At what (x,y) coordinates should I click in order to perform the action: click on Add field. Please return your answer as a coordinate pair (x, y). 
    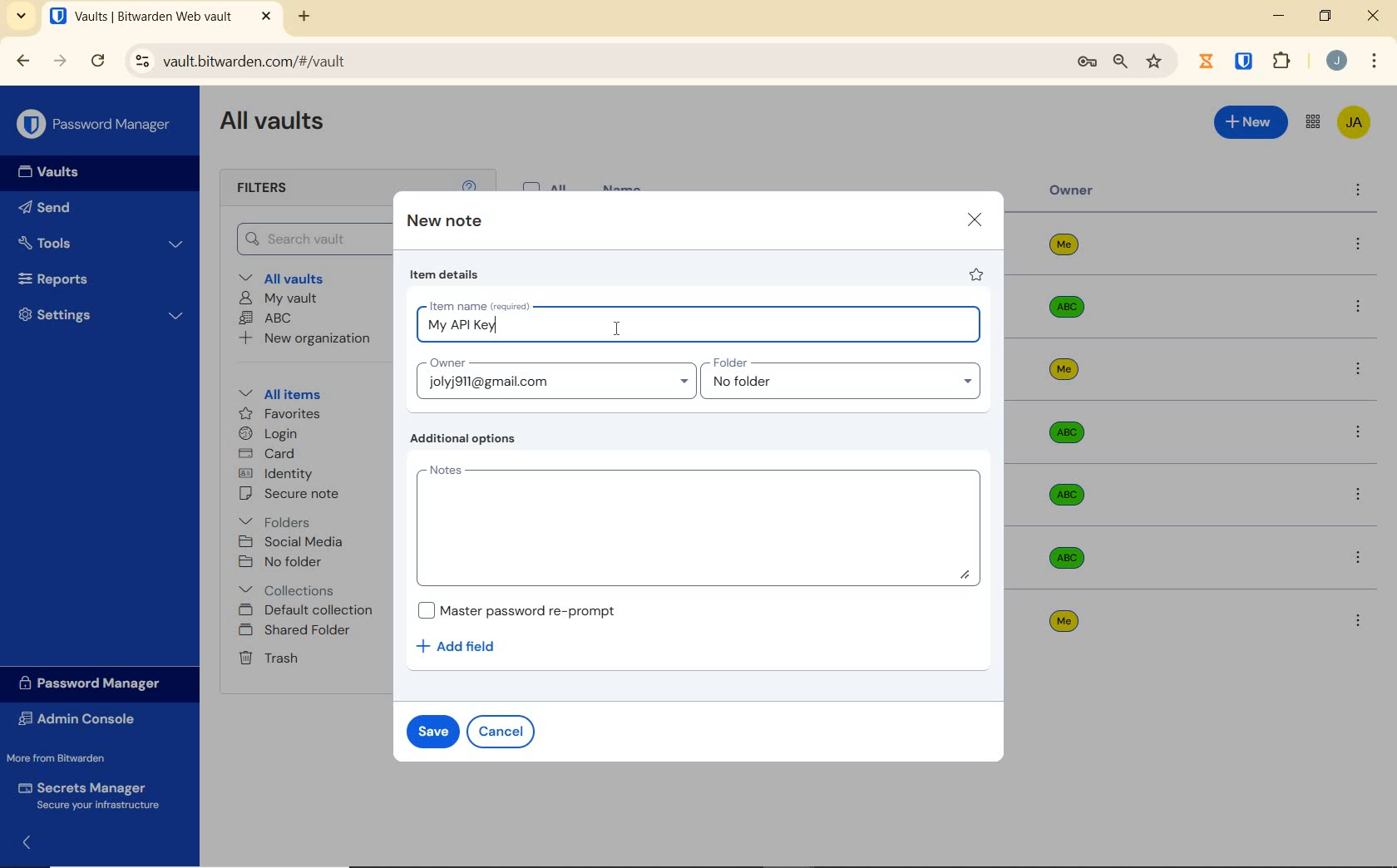
    Looking at the image, I should click on (464, 646).